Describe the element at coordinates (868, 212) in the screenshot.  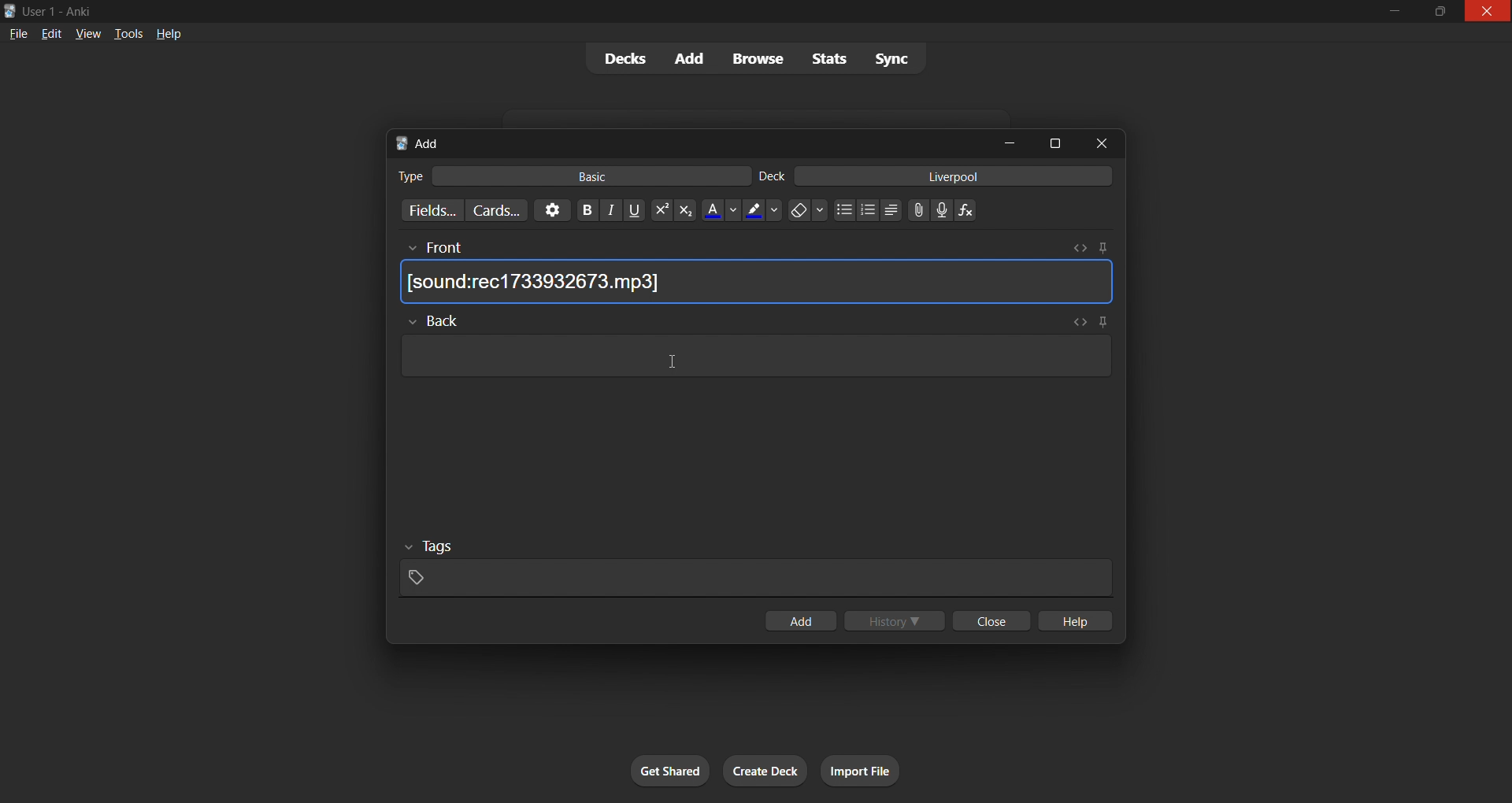
I see `ordered list` at that location.